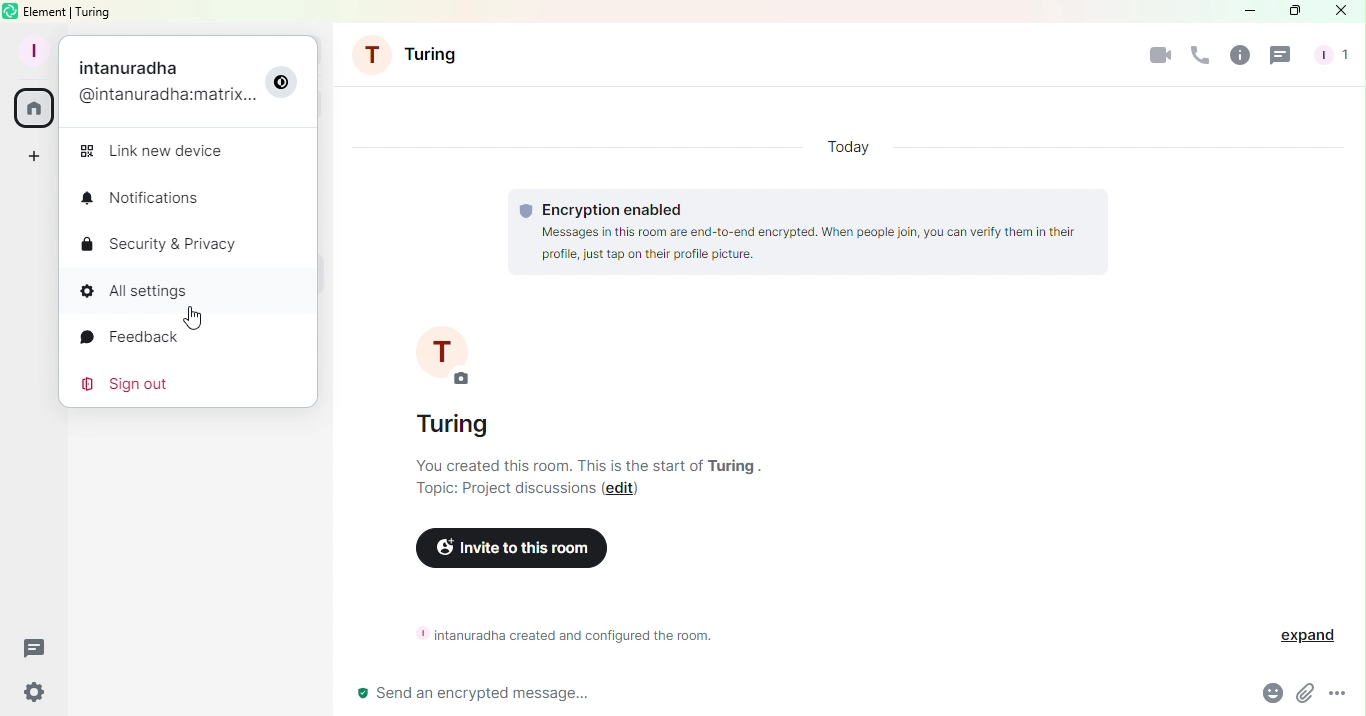 The height and width of the screenshot is (716, 1366). I want to click on Sign out, so click(121, 383).